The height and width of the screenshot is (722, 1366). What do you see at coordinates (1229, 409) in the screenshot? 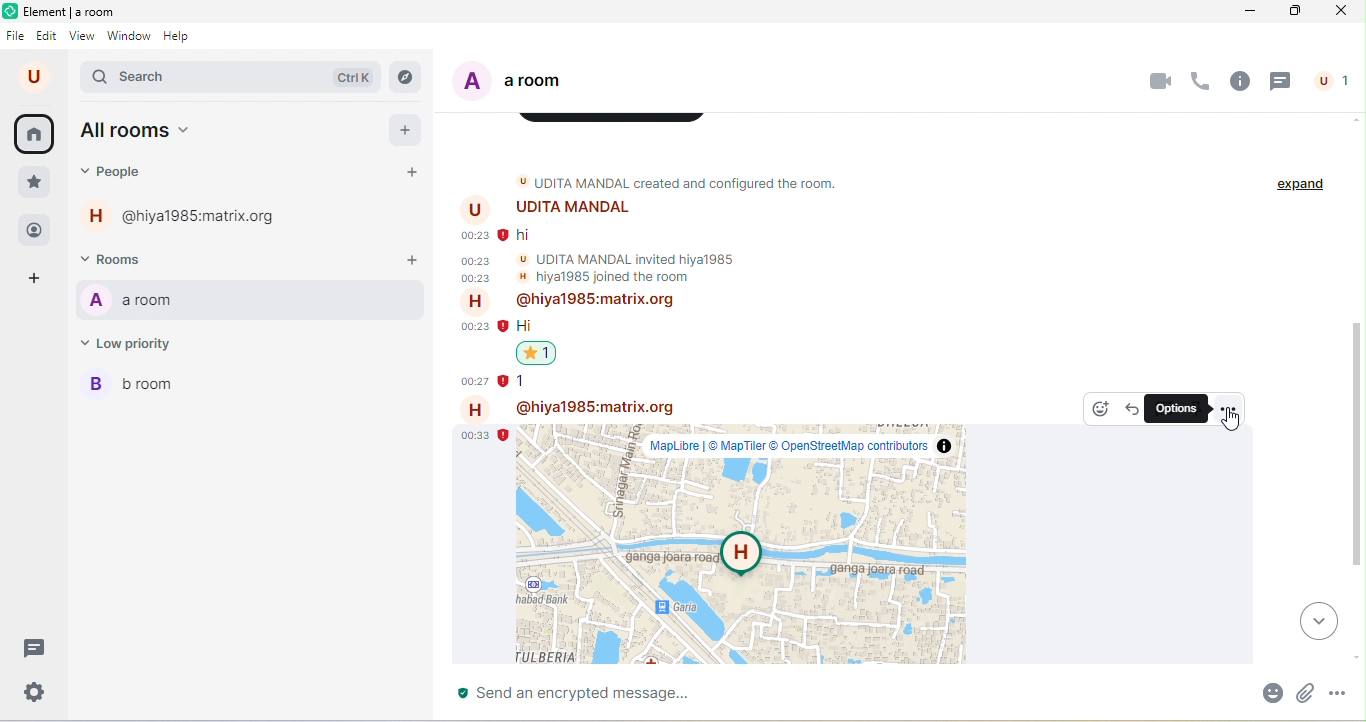
I see `options` at bounding box center [1229, 409].